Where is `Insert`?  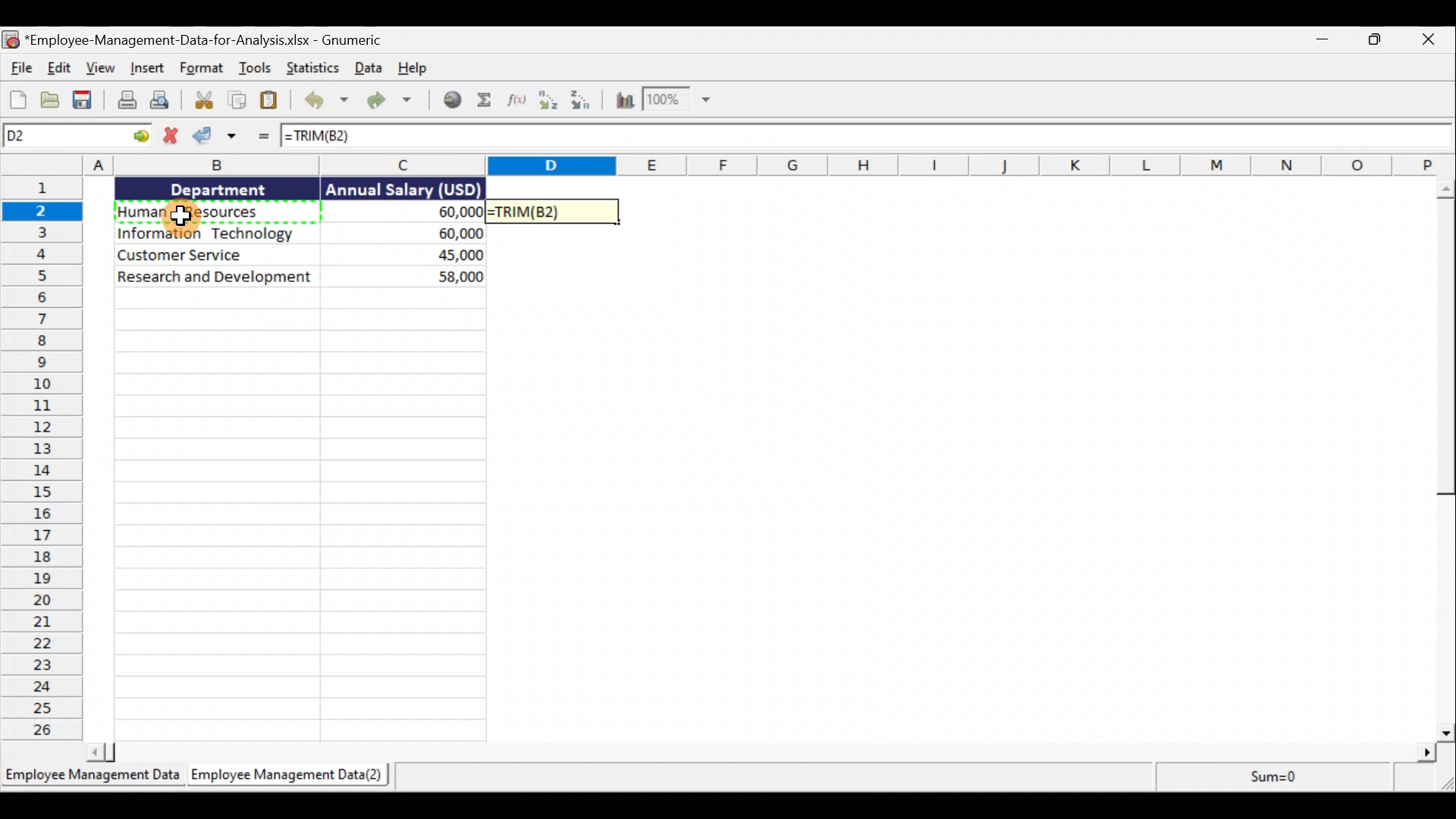
Insert is located at coordinates (146, 65).